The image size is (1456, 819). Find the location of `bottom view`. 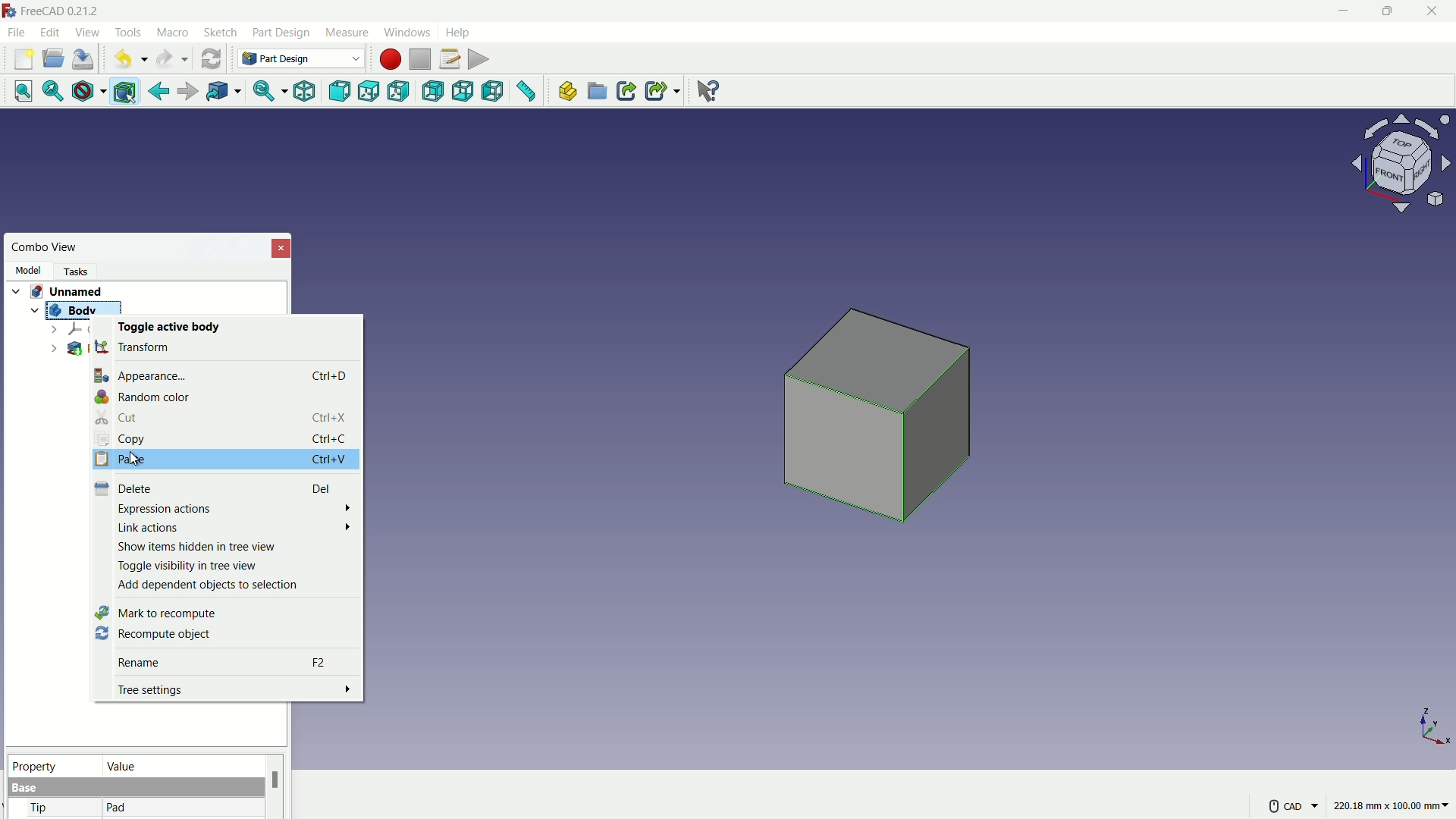

bottom view is located at coordinates (465, 92).